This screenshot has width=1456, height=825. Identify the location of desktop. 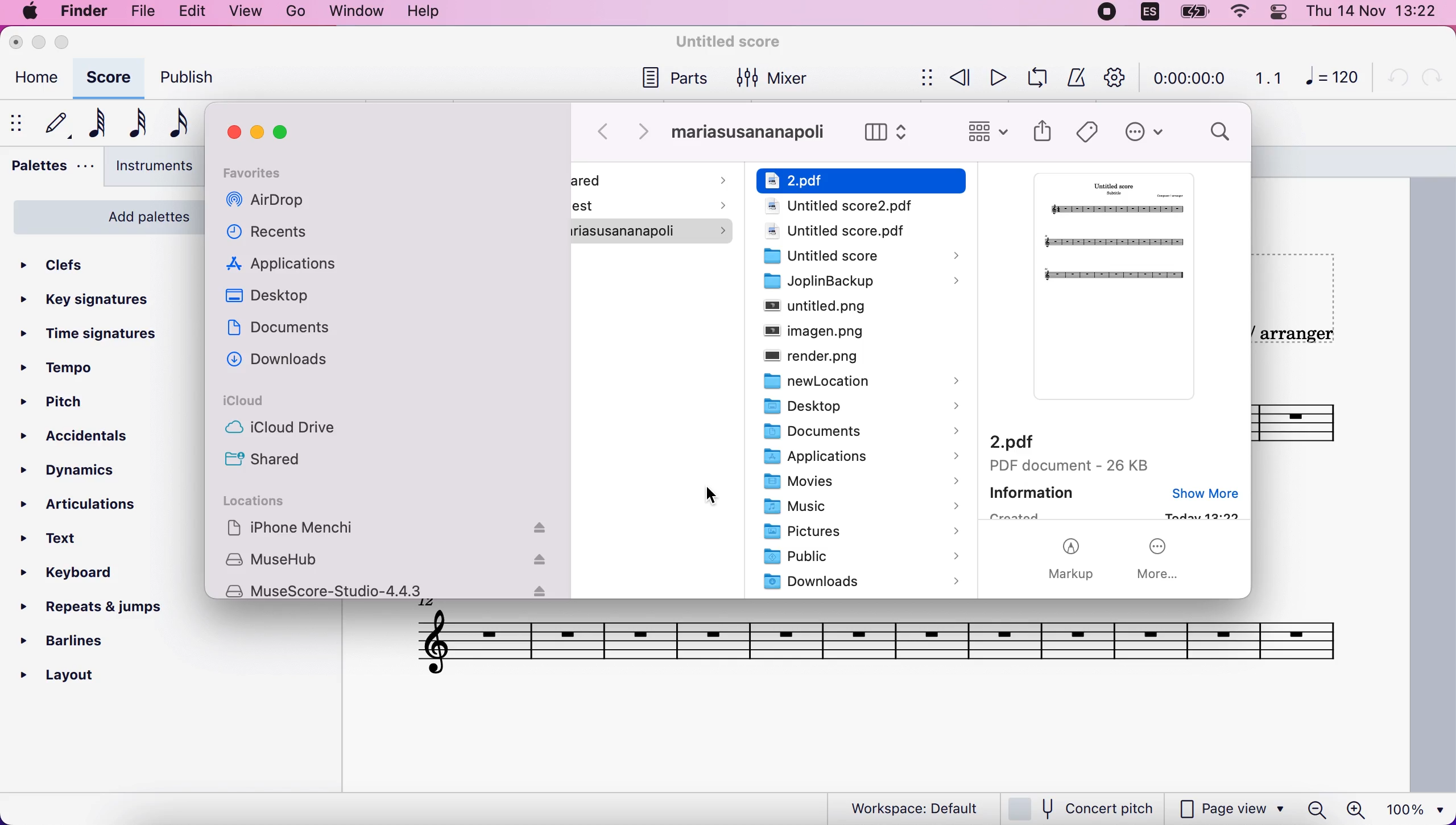
(279, 300).